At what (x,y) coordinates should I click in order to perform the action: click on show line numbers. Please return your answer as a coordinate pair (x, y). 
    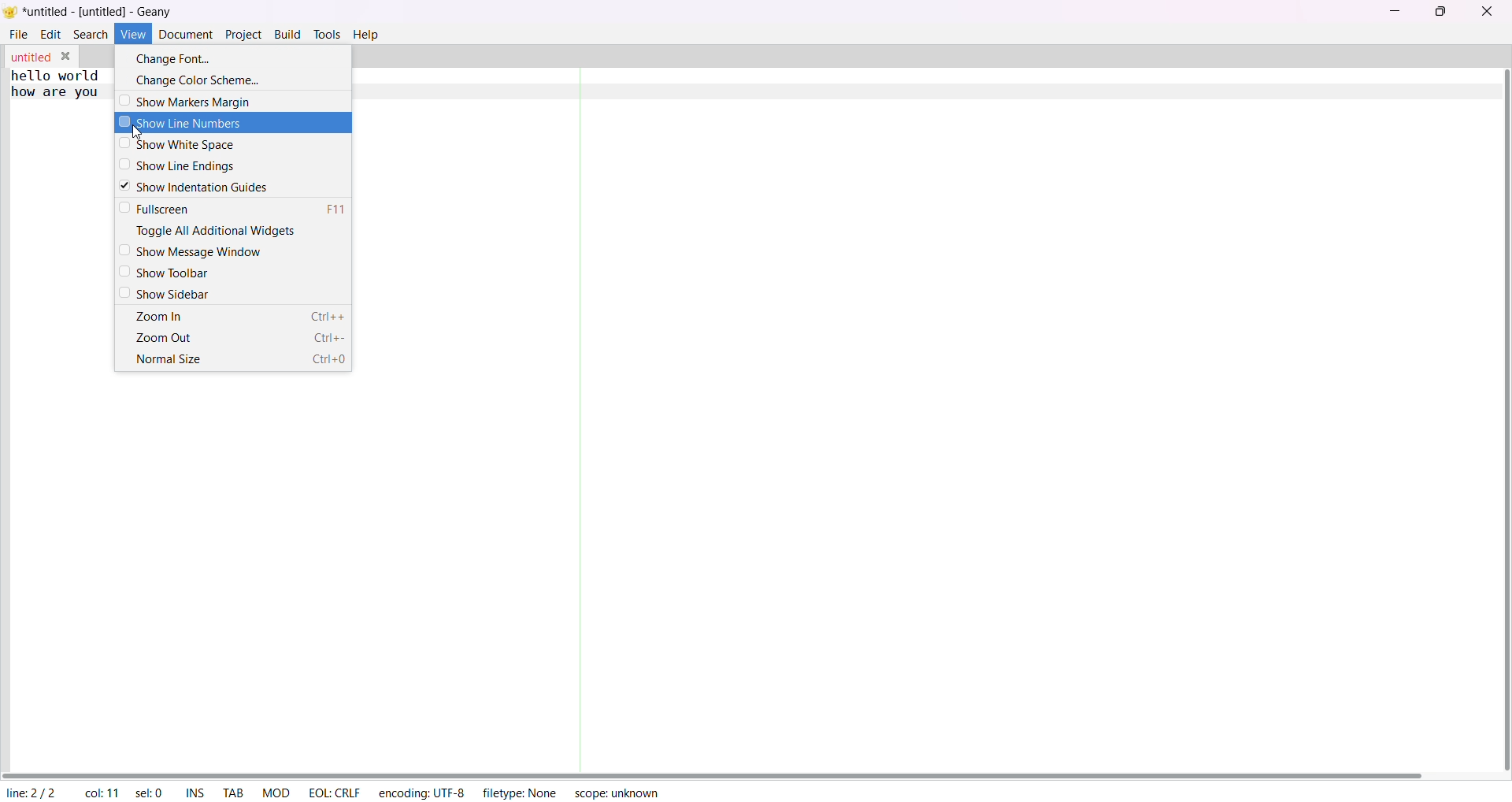
    Looking at the image, I should click on (182, 124).